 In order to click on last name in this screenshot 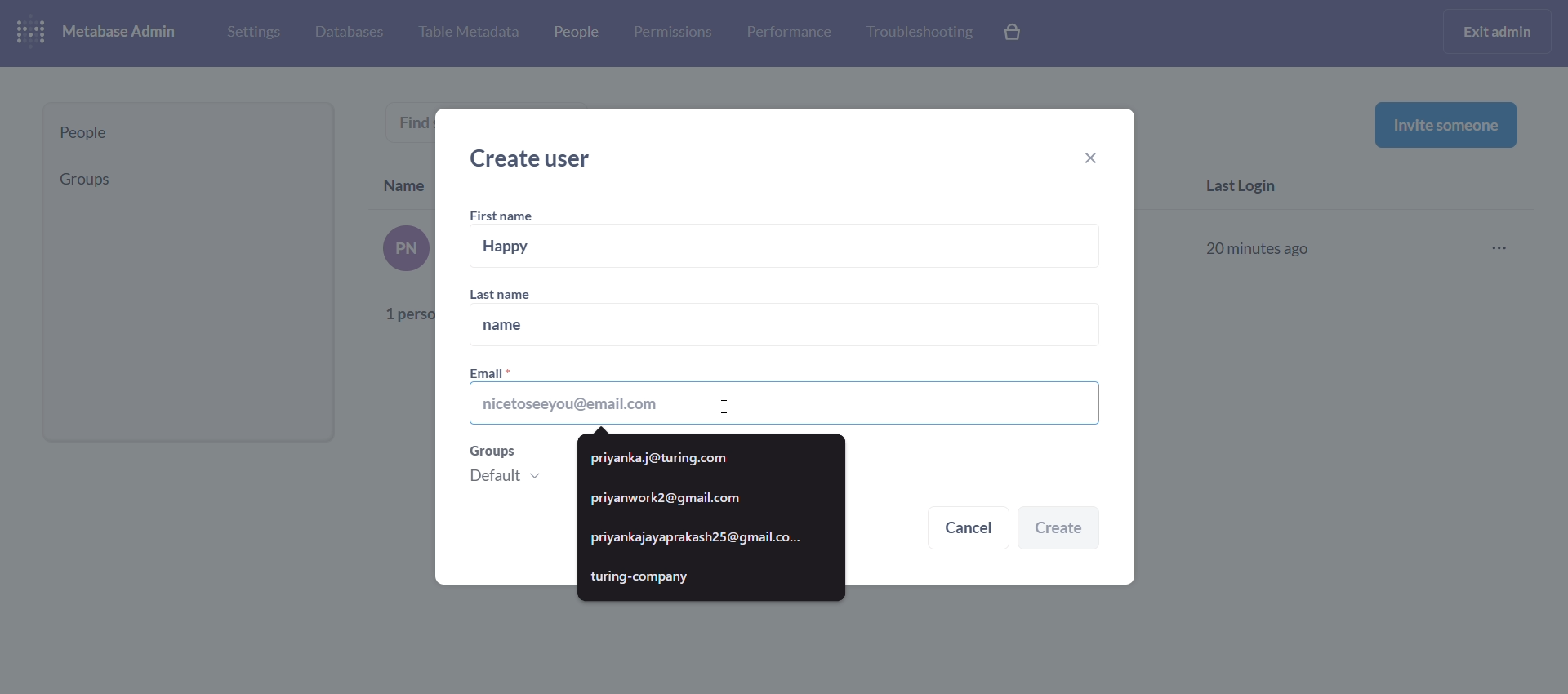, I will do `click(515, 293)`.